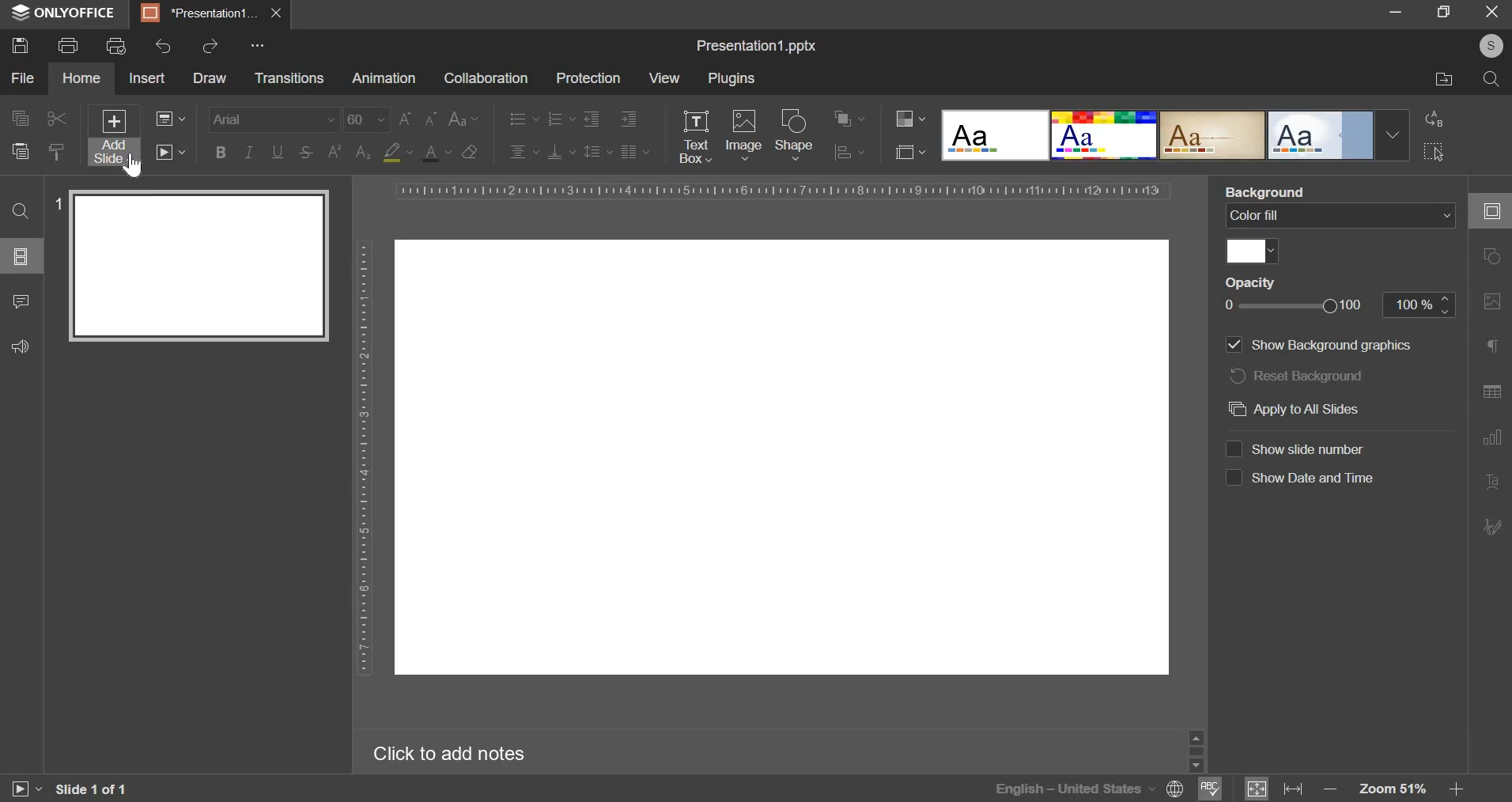 This screenshot has height=802, width=1512. I want to click on slide 1 of 1, so click(89, 789).